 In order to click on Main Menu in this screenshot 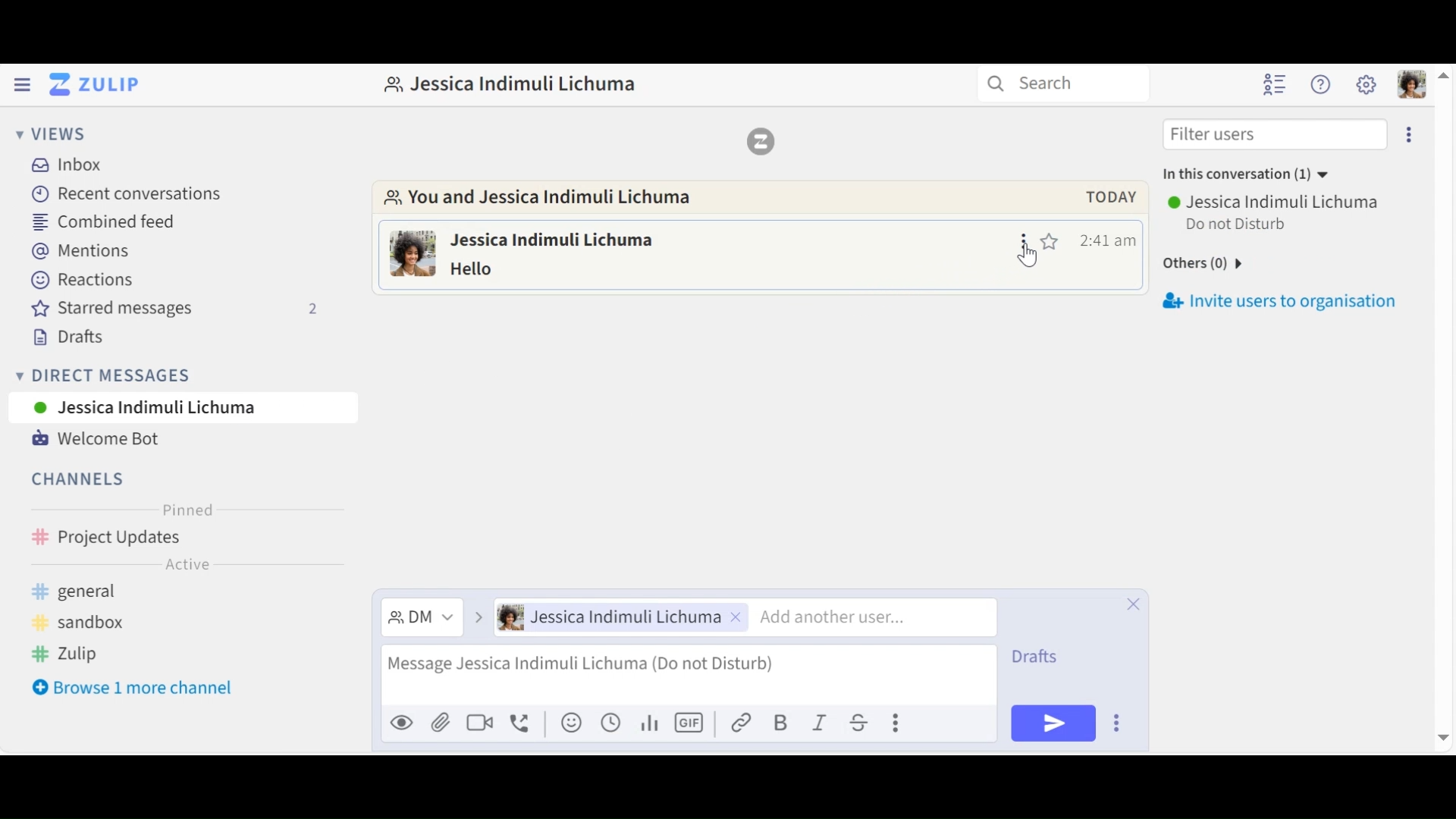, I will do `click(1366, 84)`.